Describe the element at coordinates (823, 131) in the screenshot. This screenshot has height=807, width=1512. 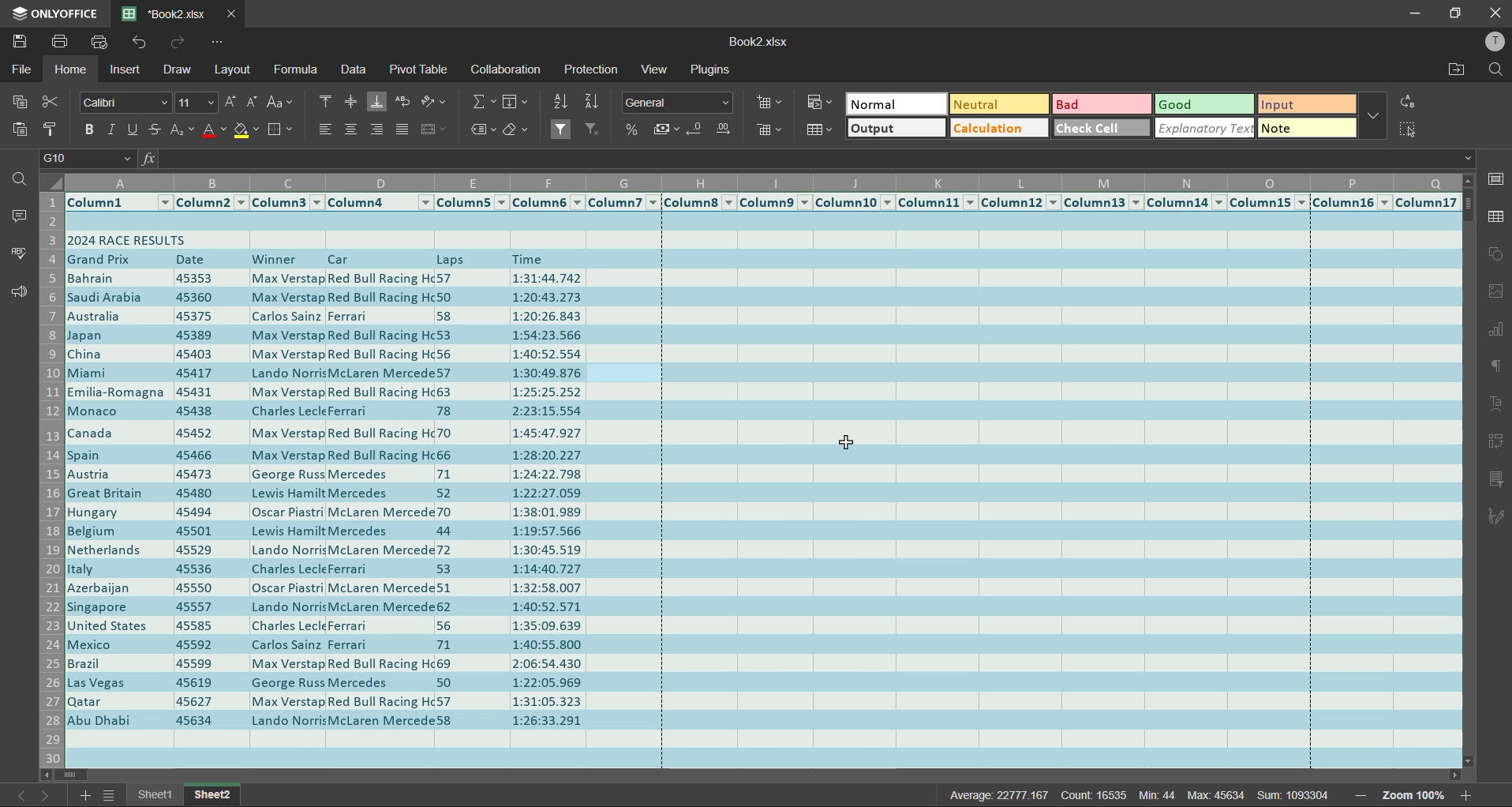
I see `format as table` at that location.